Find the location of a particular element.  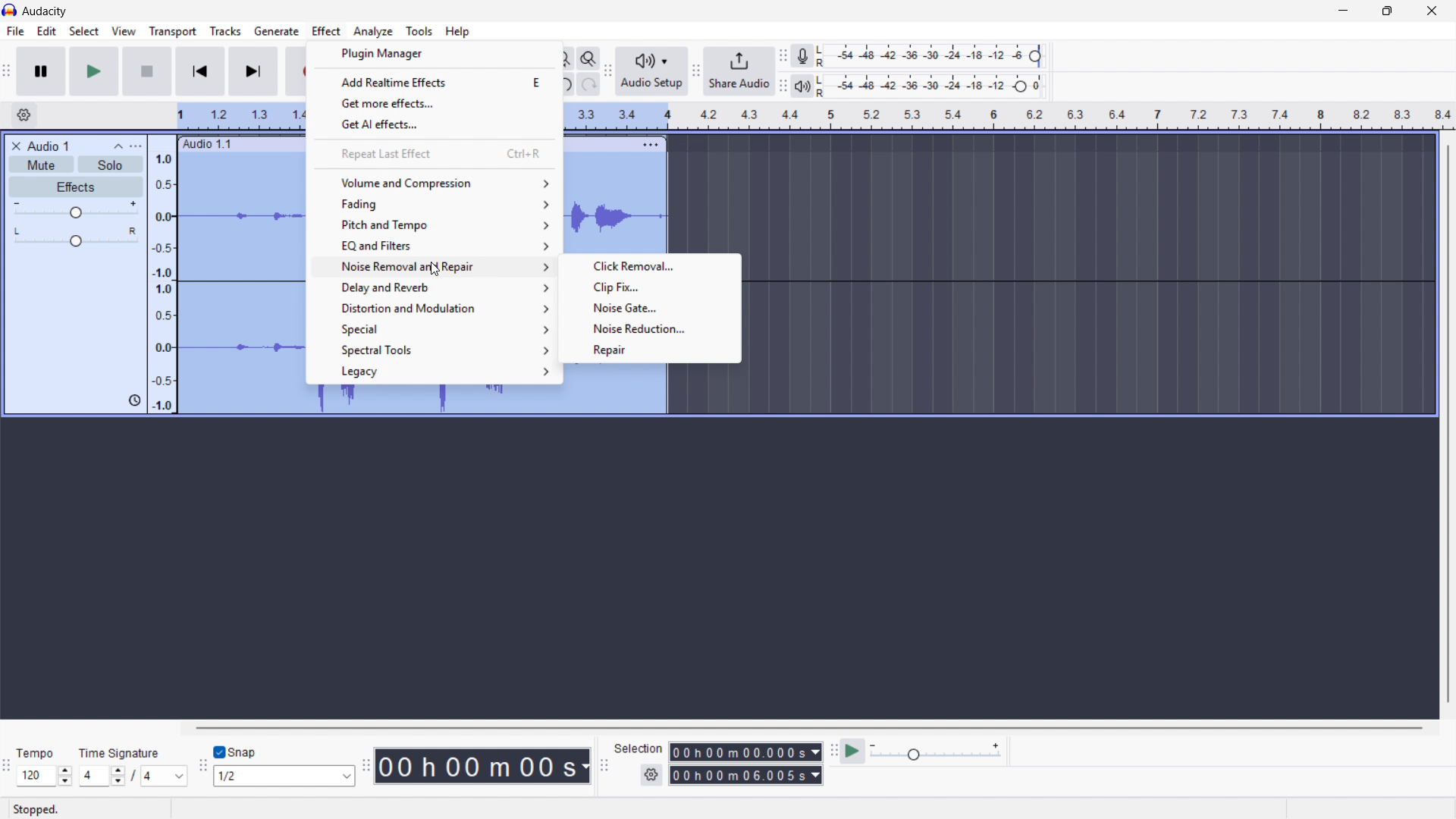

Edit  is located at coordinates (47, 31).